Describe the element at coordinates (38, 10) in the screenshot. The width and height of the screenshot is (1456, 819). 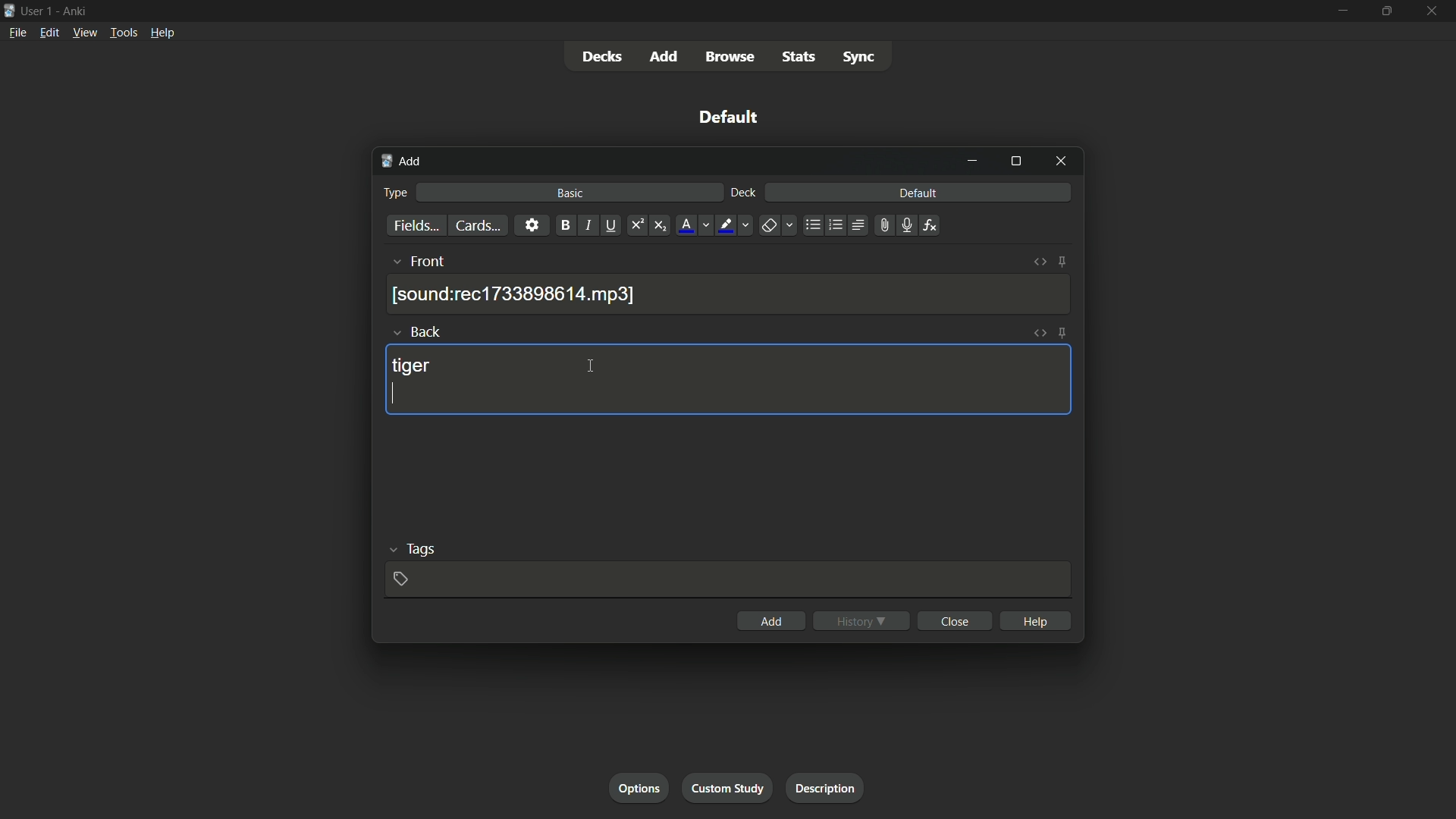
I see `user 1` at that location.